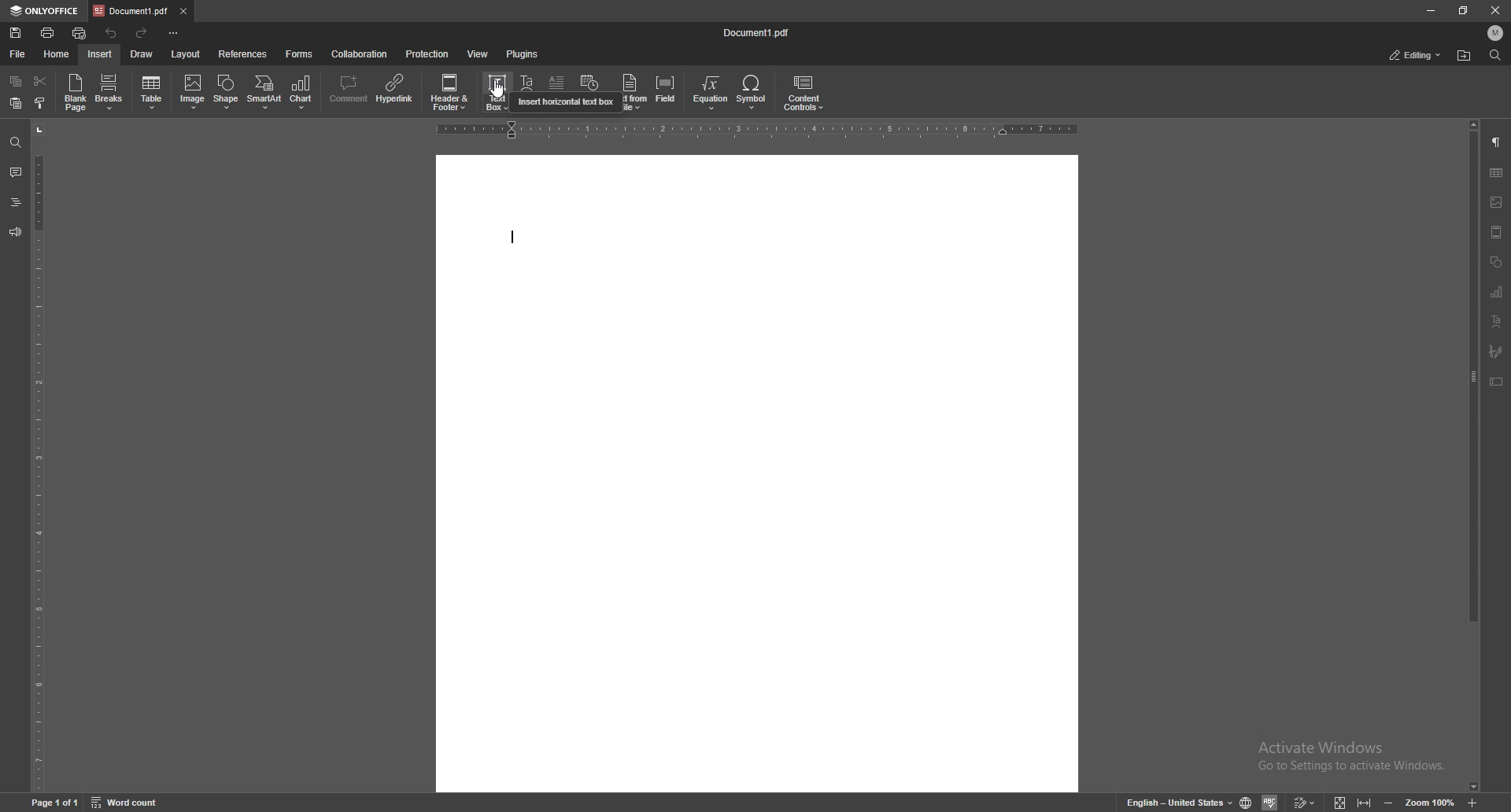 This screenshot has width=1511, height=812. Describe the element at coordinates (427, 53) in the screenshot. I see `protection` at that location.